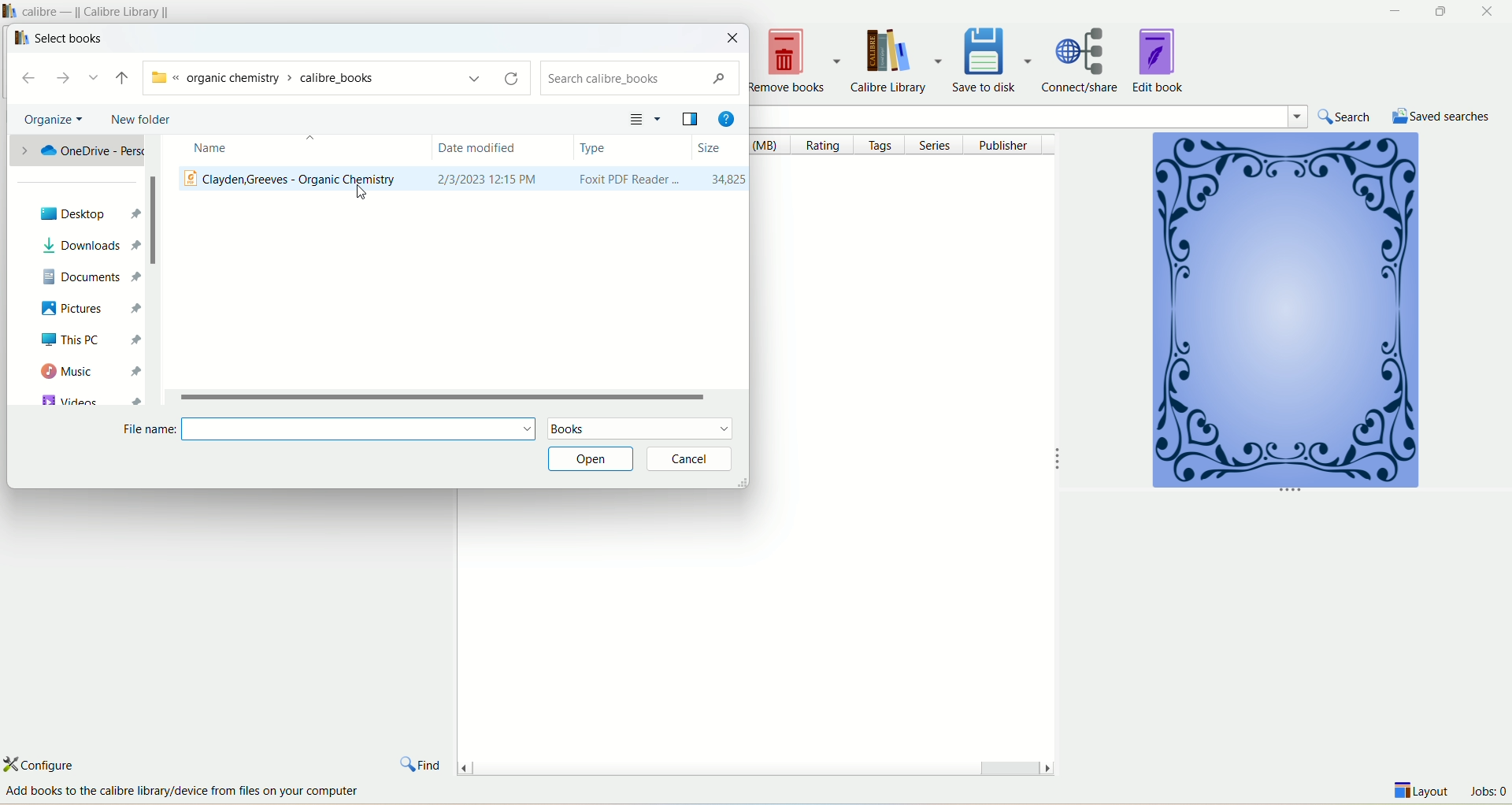 Image resolution: width=1512 pixels, height=805 pixels. I want to click on this PC, so click(86, 339).